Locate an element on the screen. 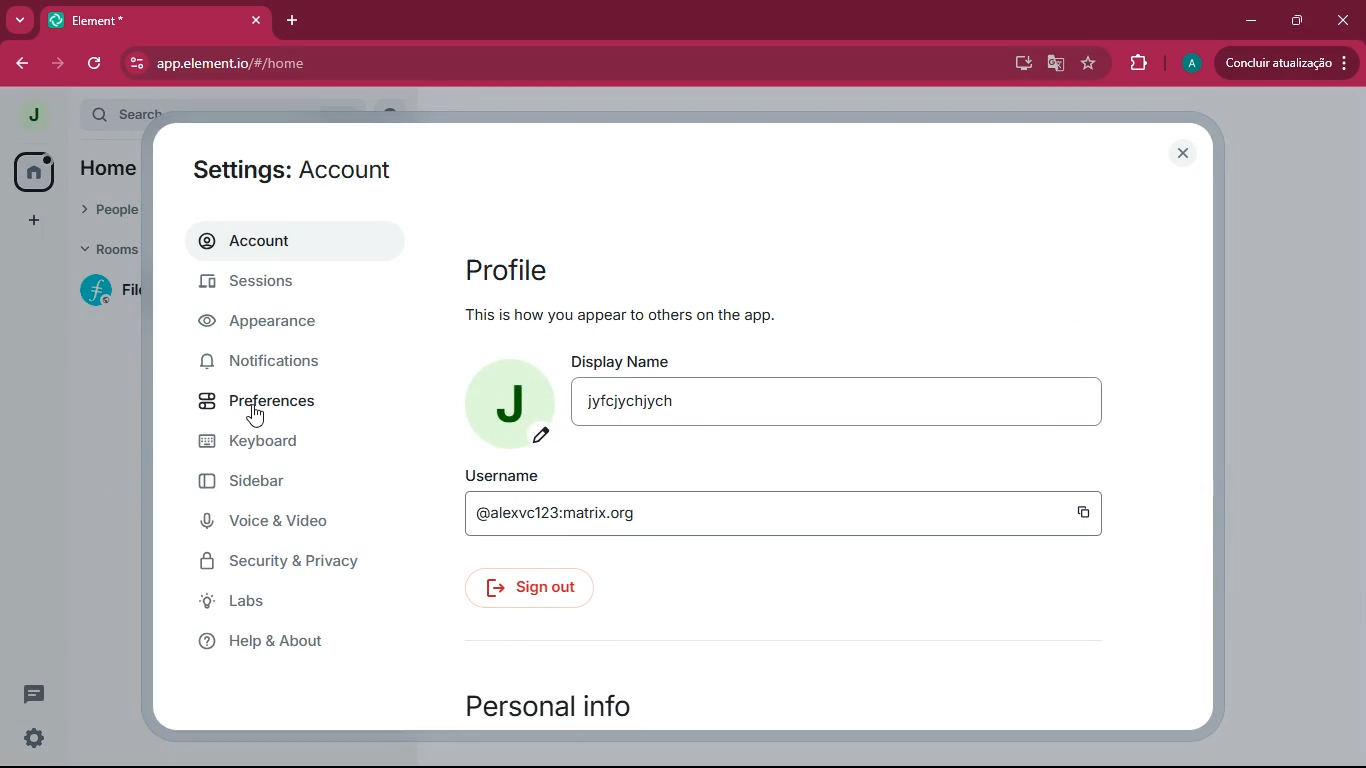  profile picture is located at coordinates (1192, 63).